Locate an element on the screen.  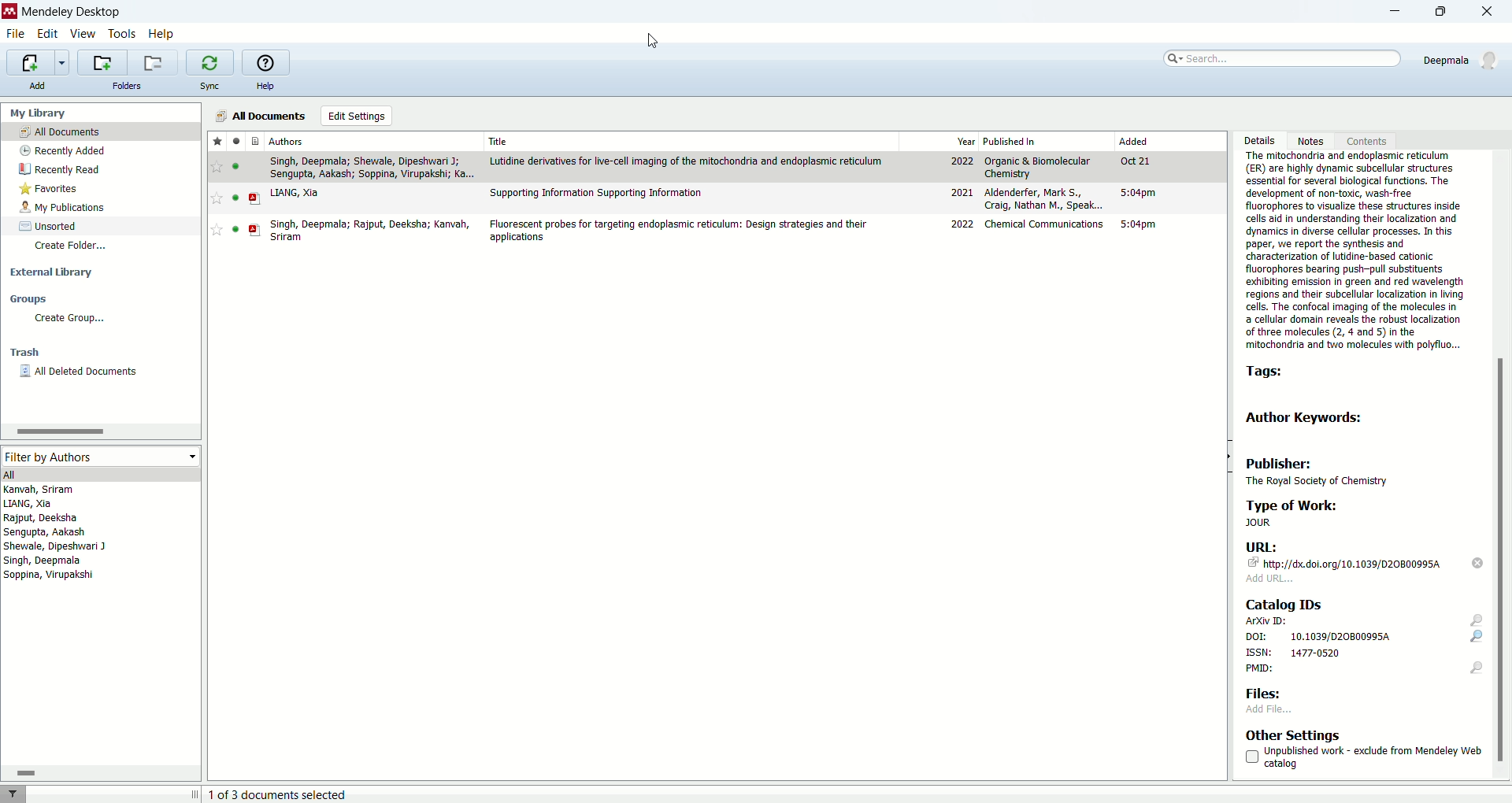
toggle expand/contract is located at coordinates (195, 794).